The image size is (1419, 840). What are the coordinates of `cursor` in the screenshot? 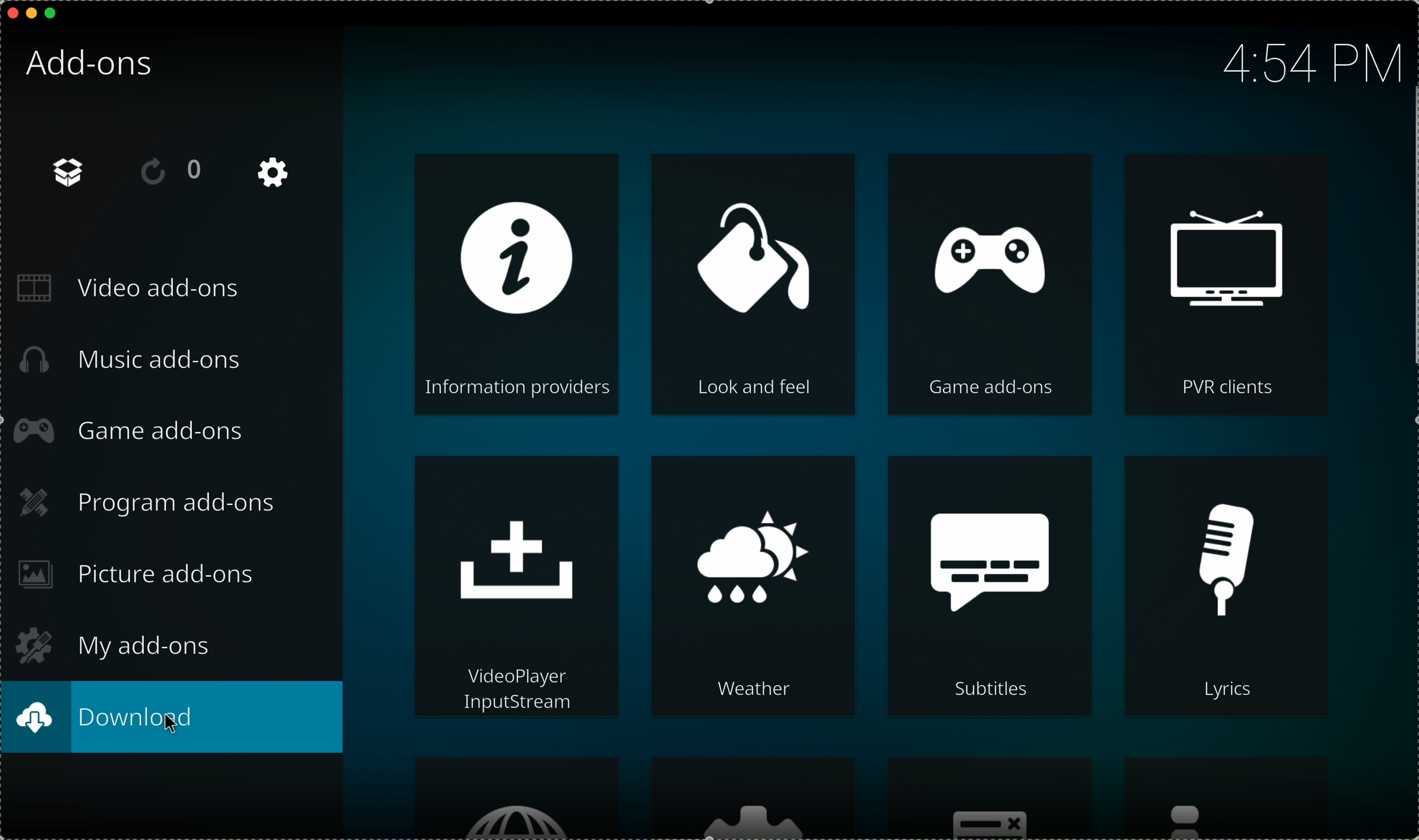 It's located at (173, 727).